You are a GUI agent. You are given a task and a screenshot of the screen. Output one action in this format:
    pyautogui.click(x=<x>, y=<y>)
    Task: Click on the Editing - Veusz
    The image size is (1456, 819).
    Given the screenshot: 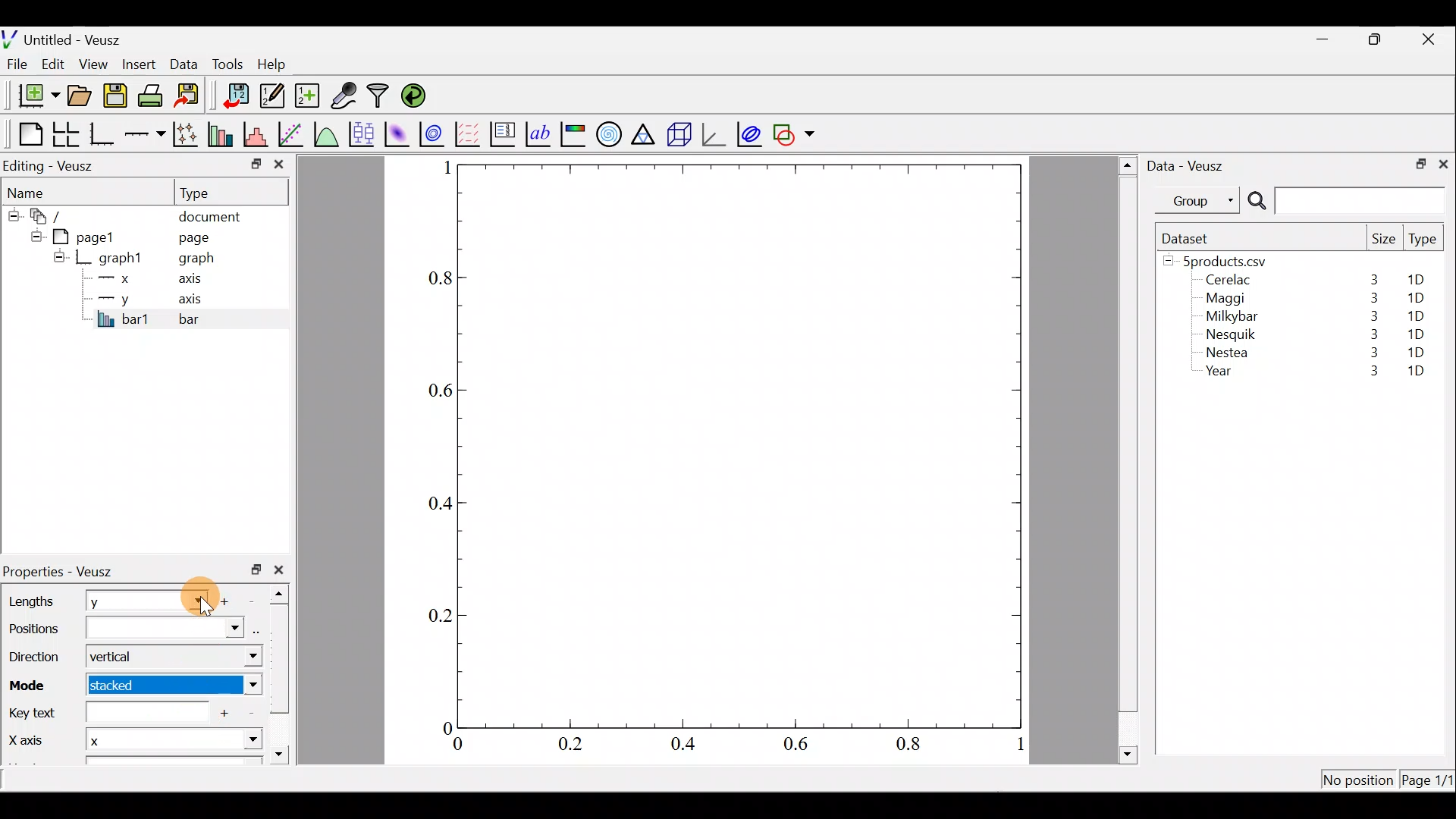 What is the action you would take?
    pyautogui.click(x=52, y=165)
    